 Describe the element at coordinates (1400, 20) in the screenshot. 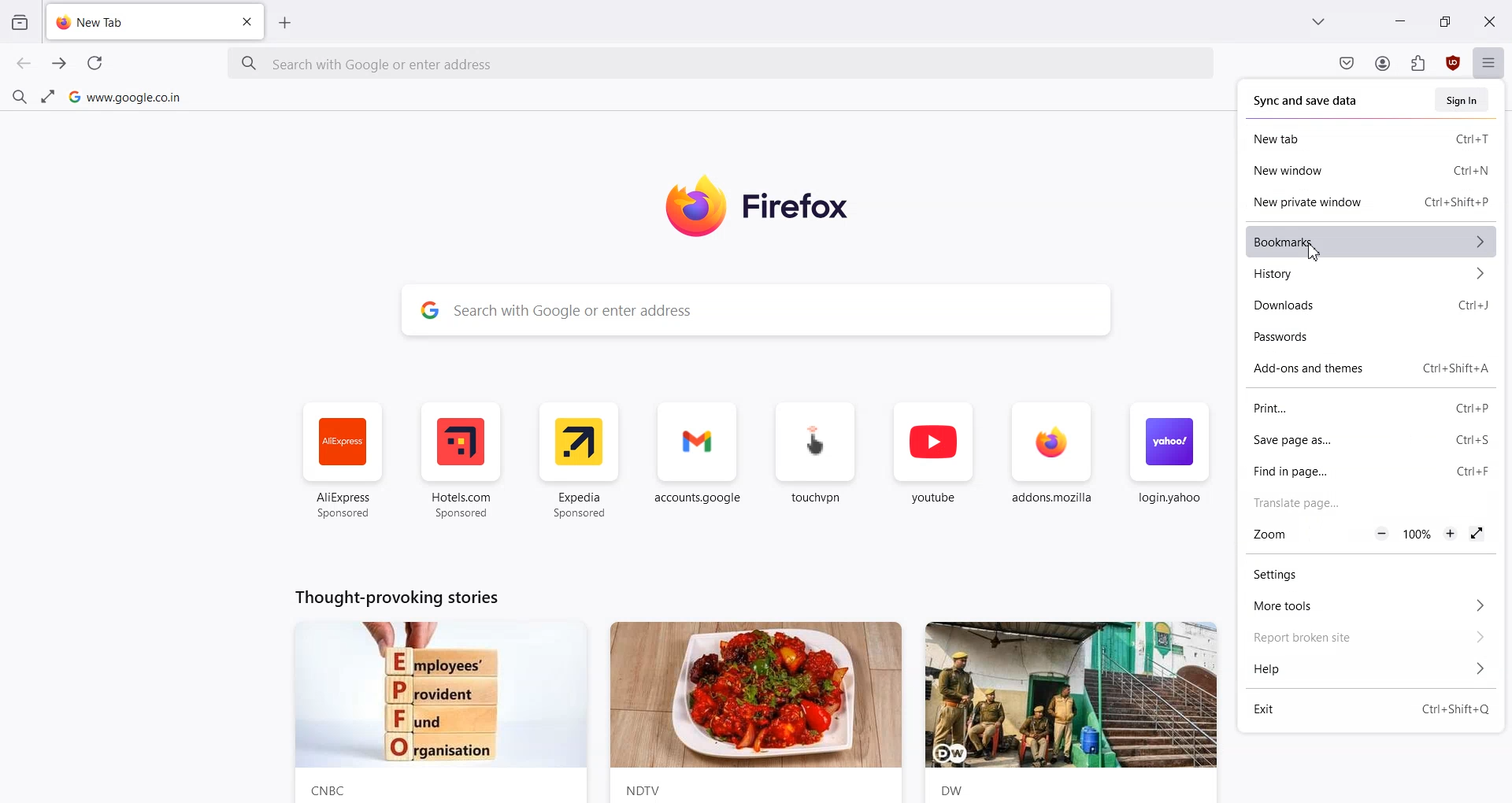

I see `Minimize` at that location.